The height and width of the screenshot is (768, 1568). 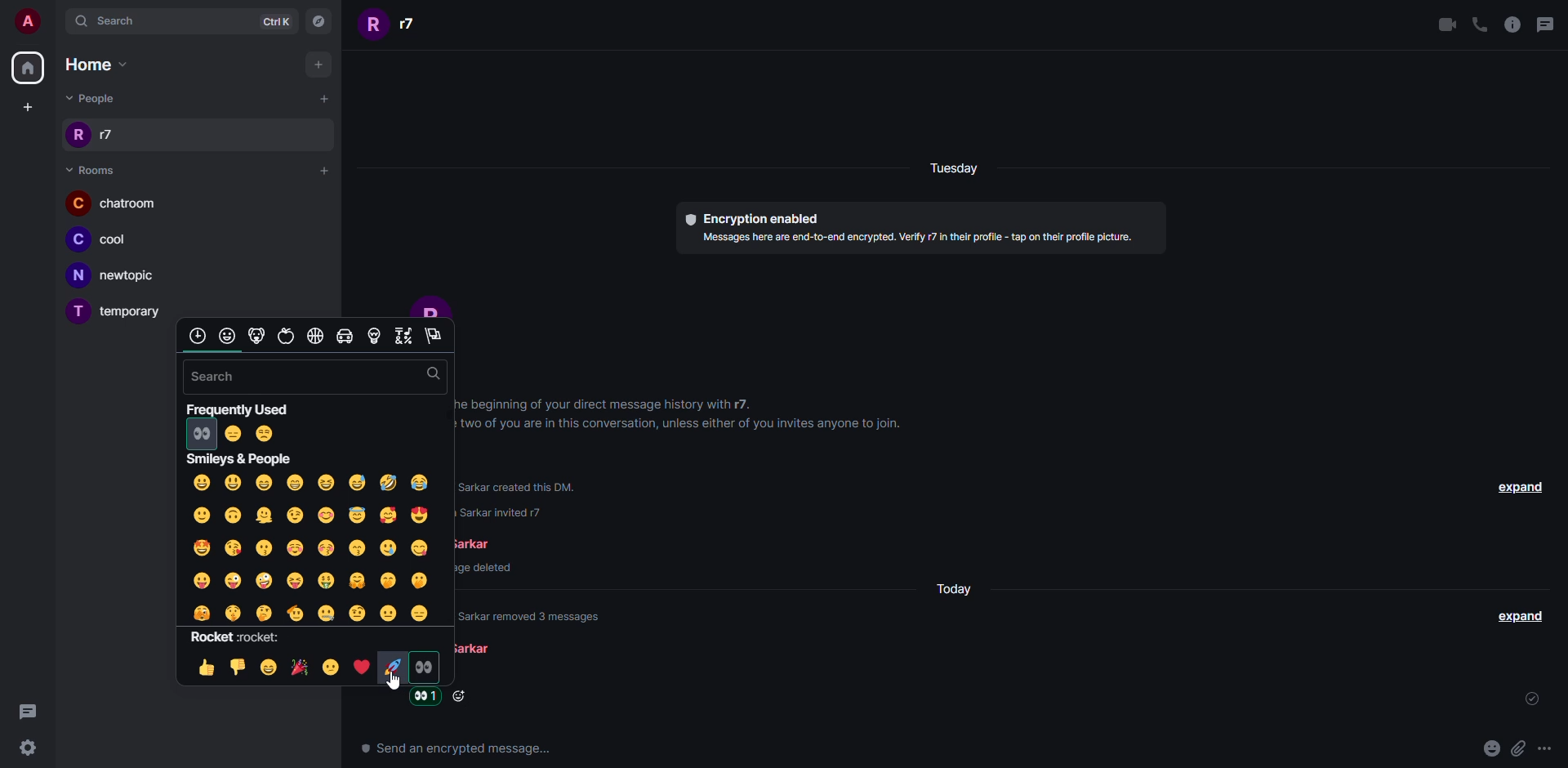 What do you see at coordinates (244, 460) in the screenshot?
I see `smilley` at bounding box center [244, 460].